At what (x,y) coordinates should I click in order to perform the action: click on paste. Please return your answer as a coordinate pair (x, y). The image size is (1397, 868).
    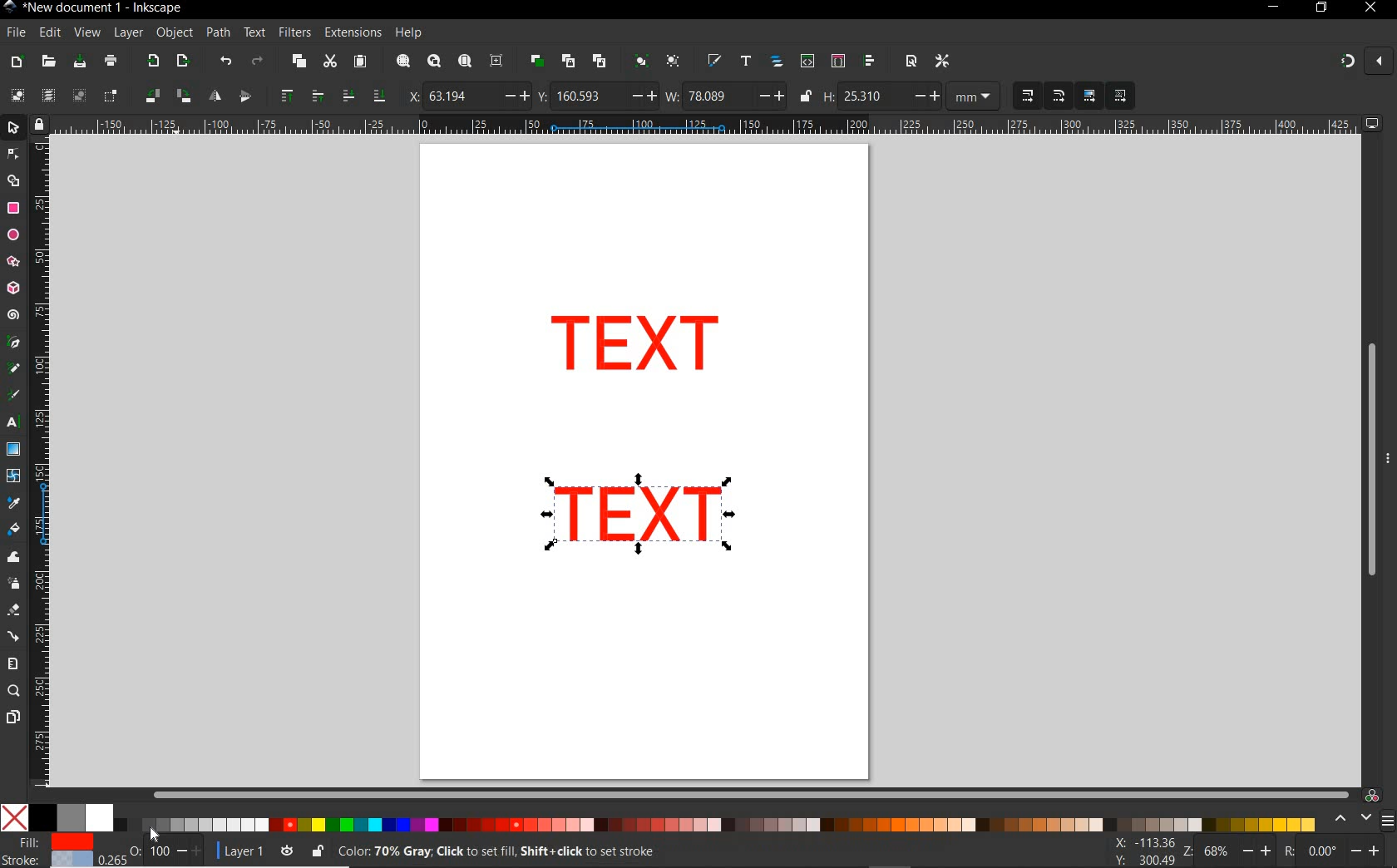
    Looking at the image, I should click on (359, 62).